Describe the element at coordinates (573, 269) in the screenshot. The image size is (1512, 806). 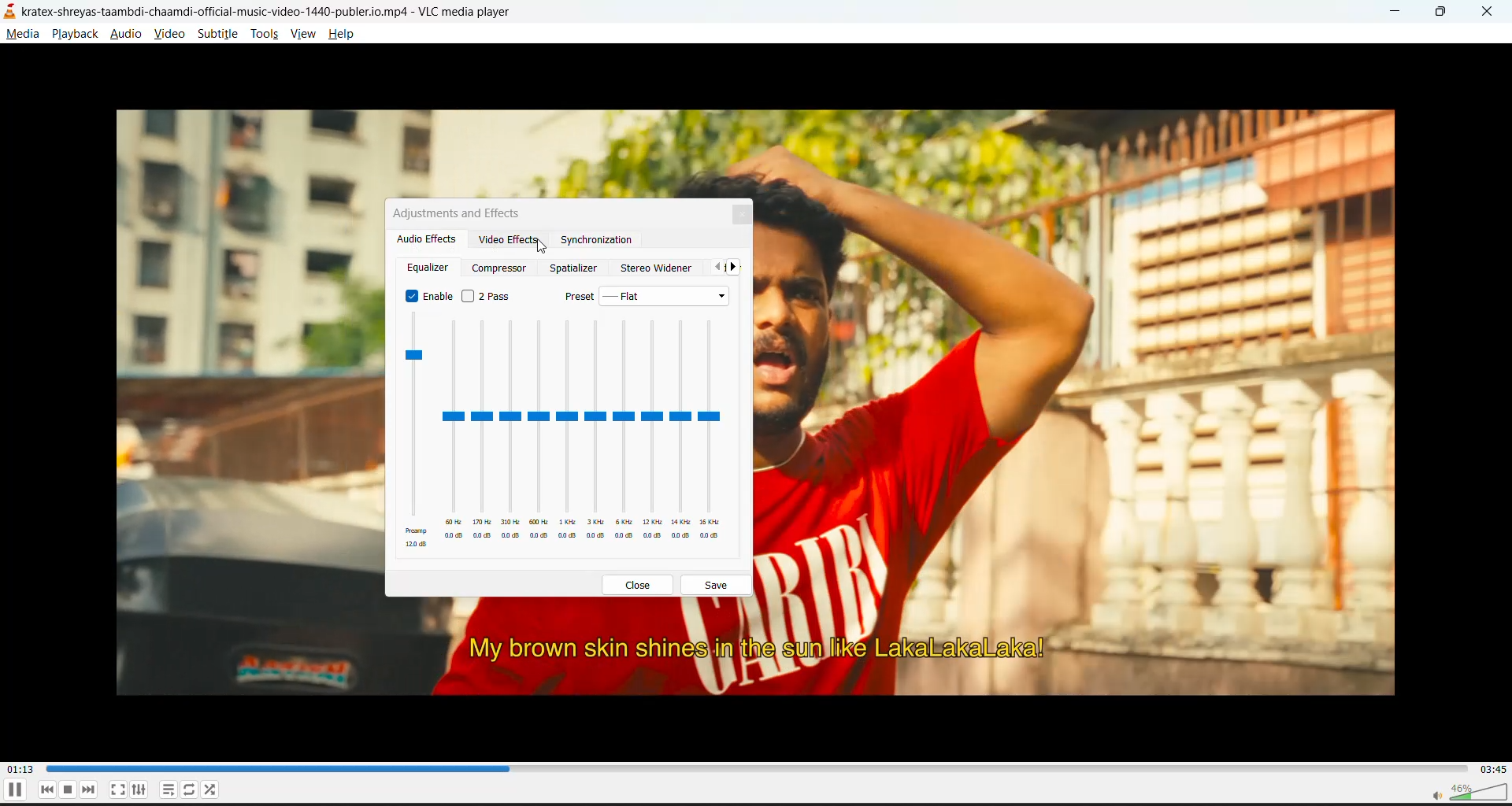
I see `spatializer` at that location.